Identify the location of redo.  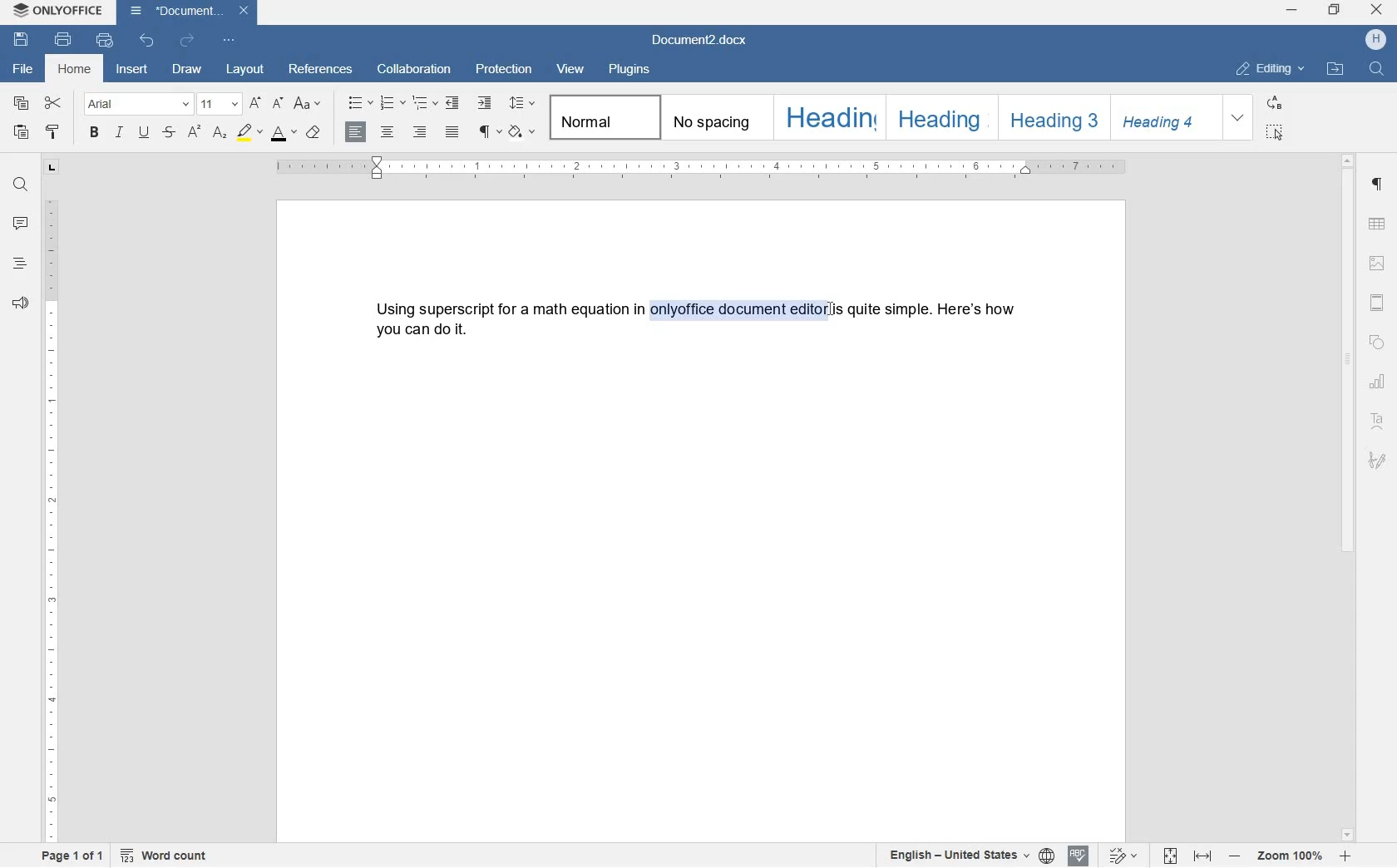
(185, 40).